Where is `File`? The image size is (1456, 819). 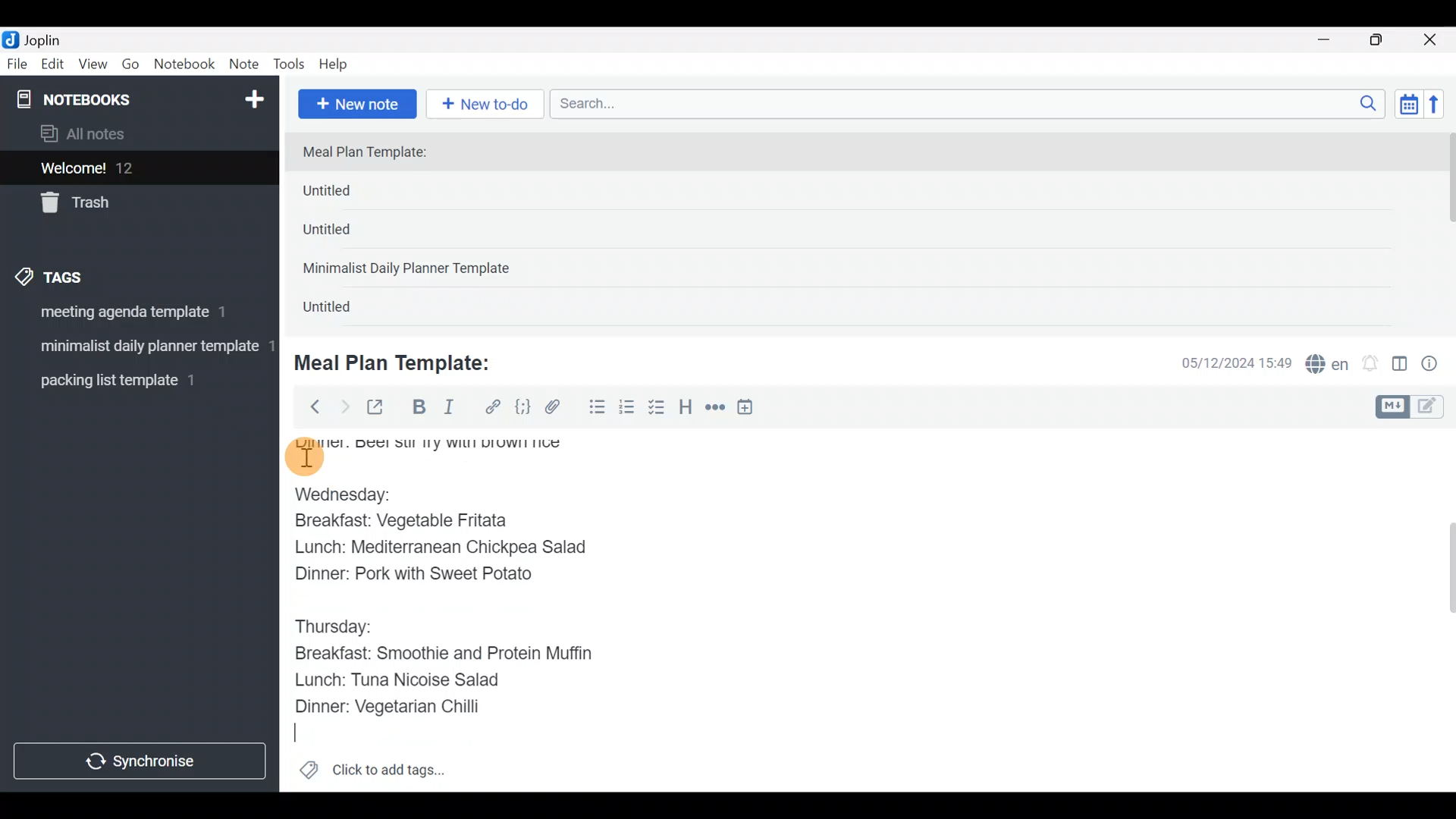
File is located at coordinates (18, 64).